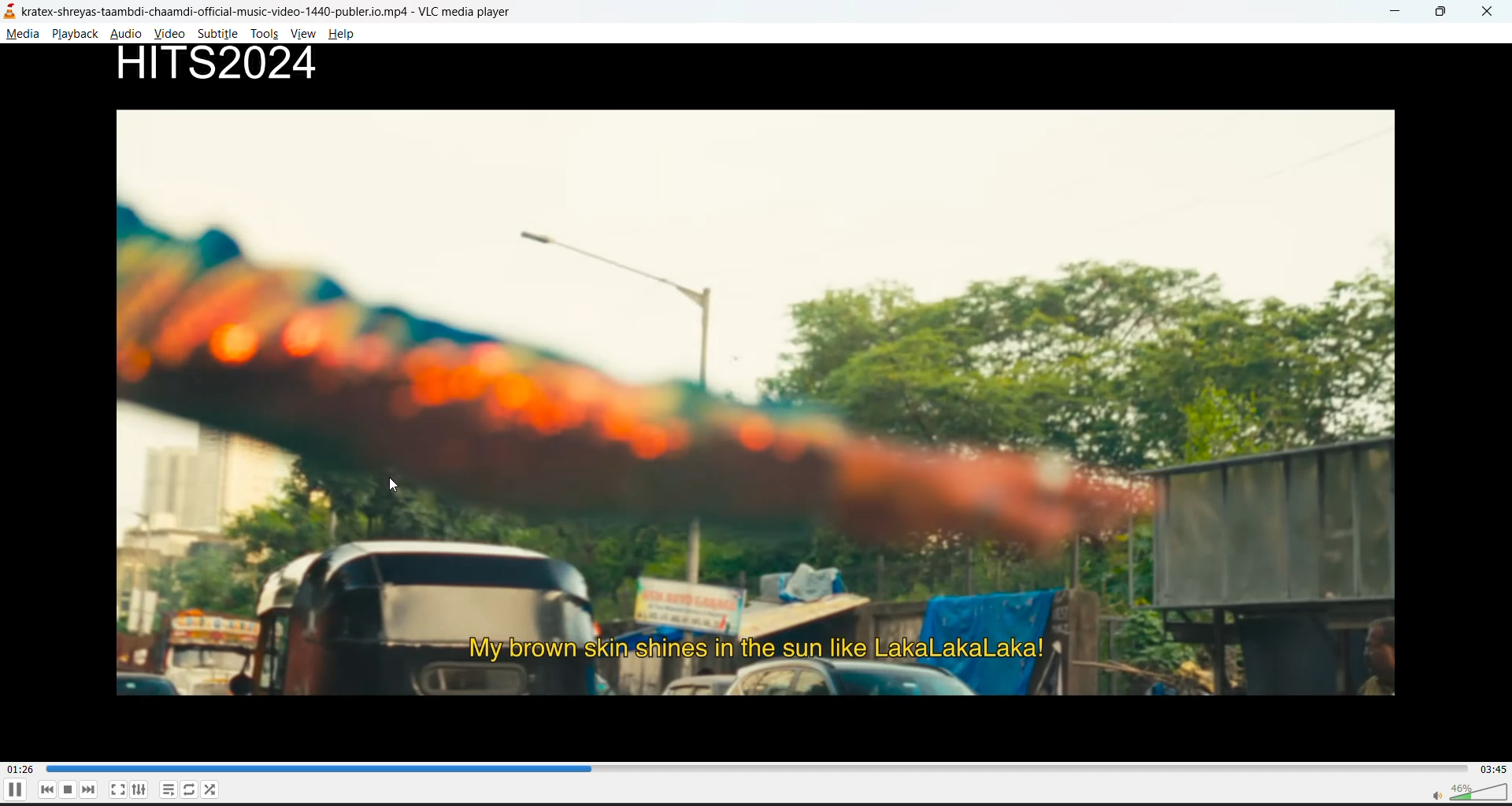 This screenshot has height=806, width=1512. What do you see at coordinates (118, 789) in the screenshot?
I see `full screen` at bounding box center [118, 789].